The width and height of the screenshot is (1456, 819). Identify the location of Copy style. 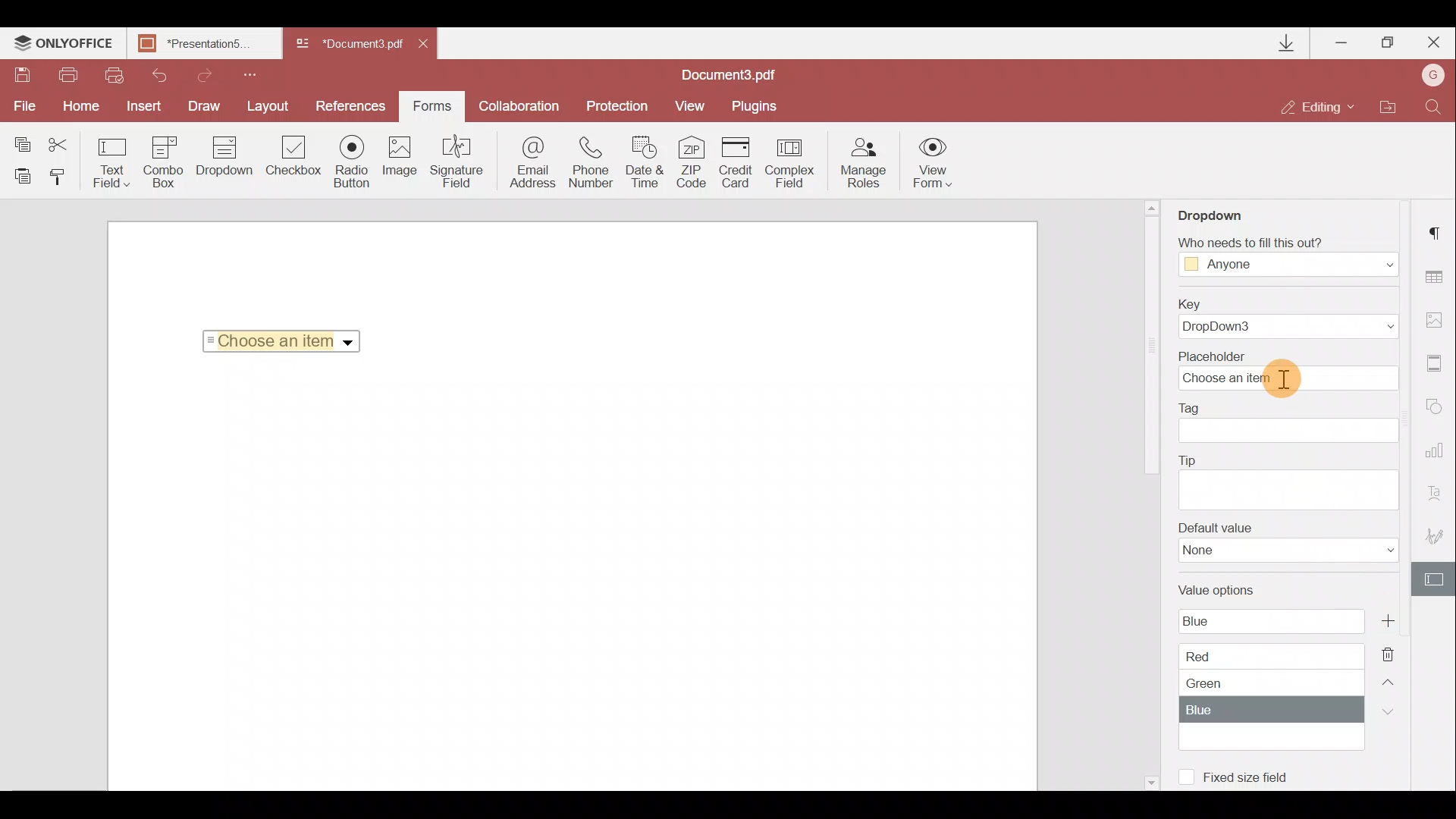
(63, 180).